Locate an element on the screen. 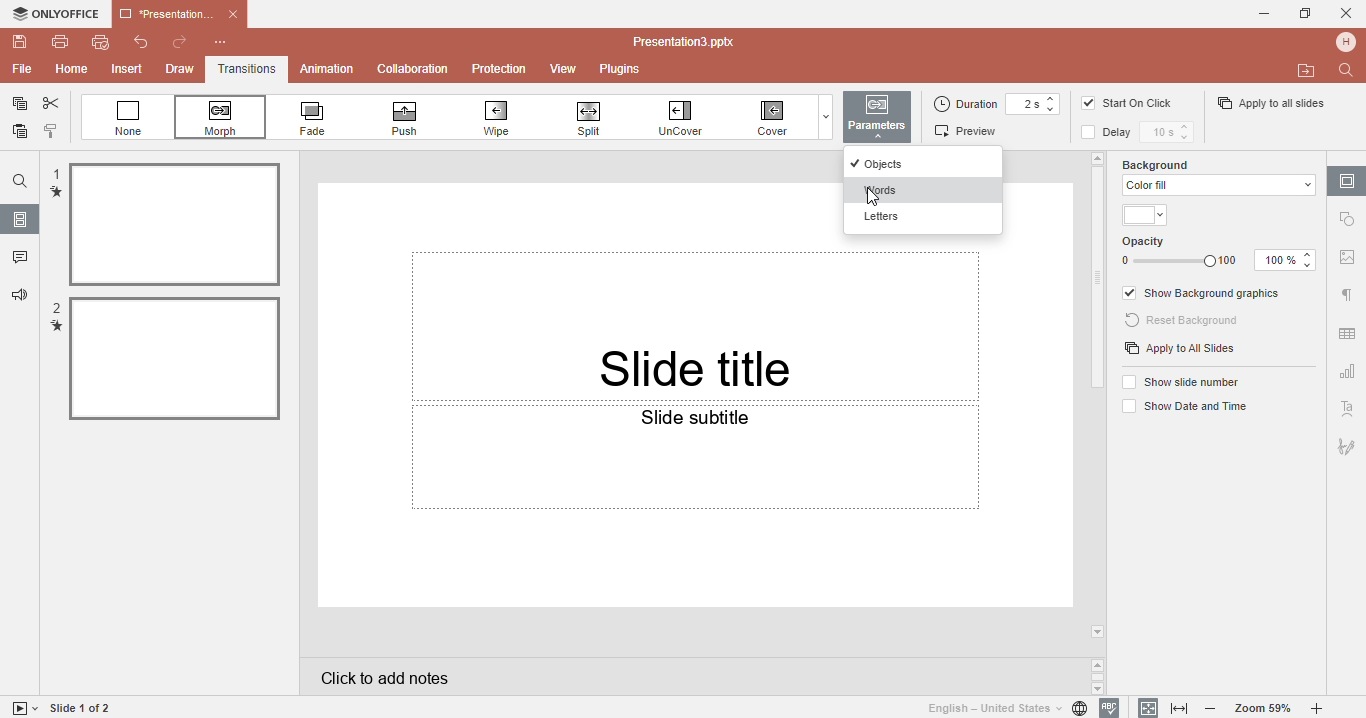 This screenshot has height=718, width=1366. Set document language is located at coordinates (1006, 708).